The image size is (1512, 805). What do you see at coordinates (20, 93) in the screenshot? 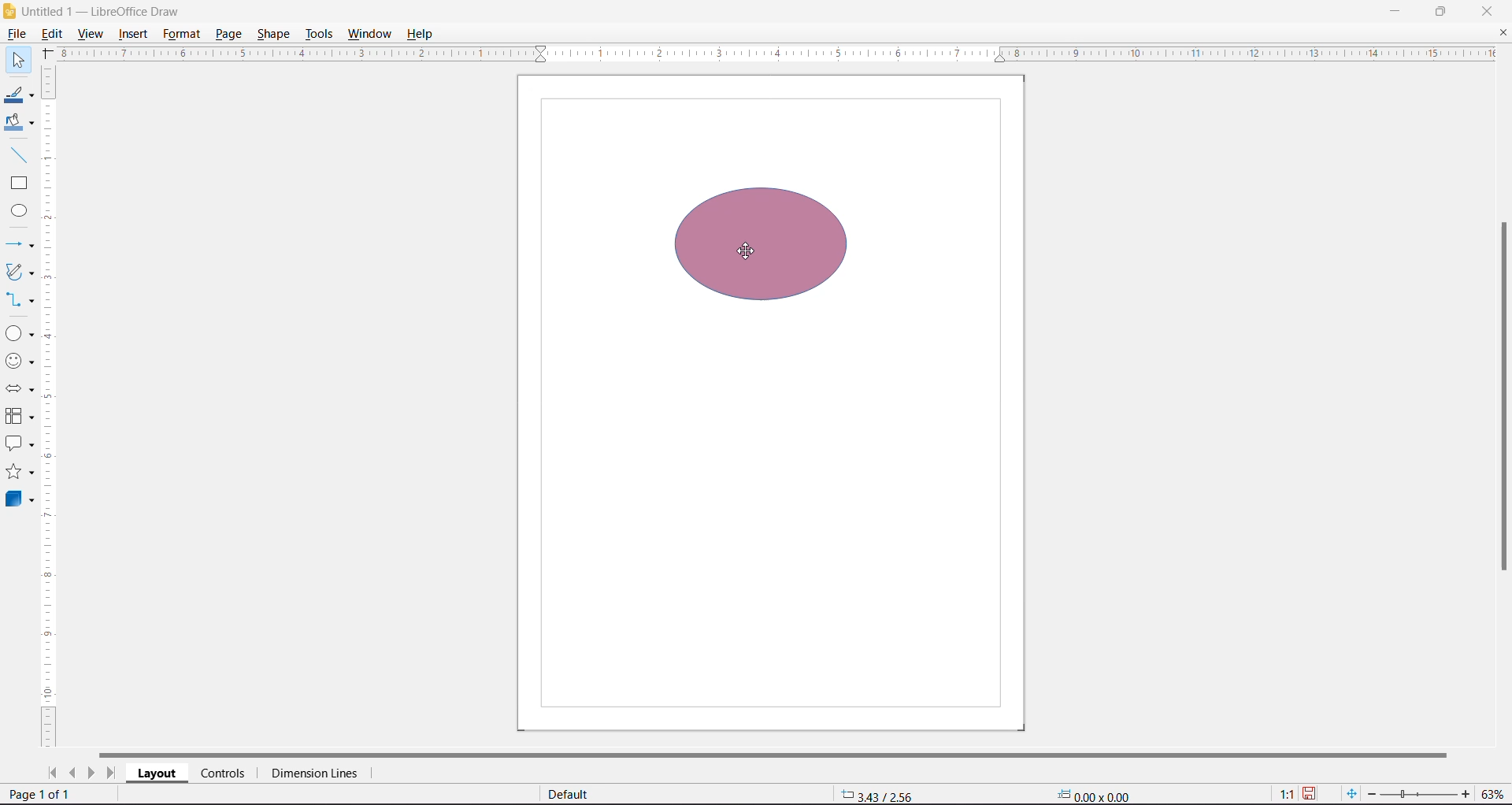
I see `Line Color` at bounding box center [20, 93].